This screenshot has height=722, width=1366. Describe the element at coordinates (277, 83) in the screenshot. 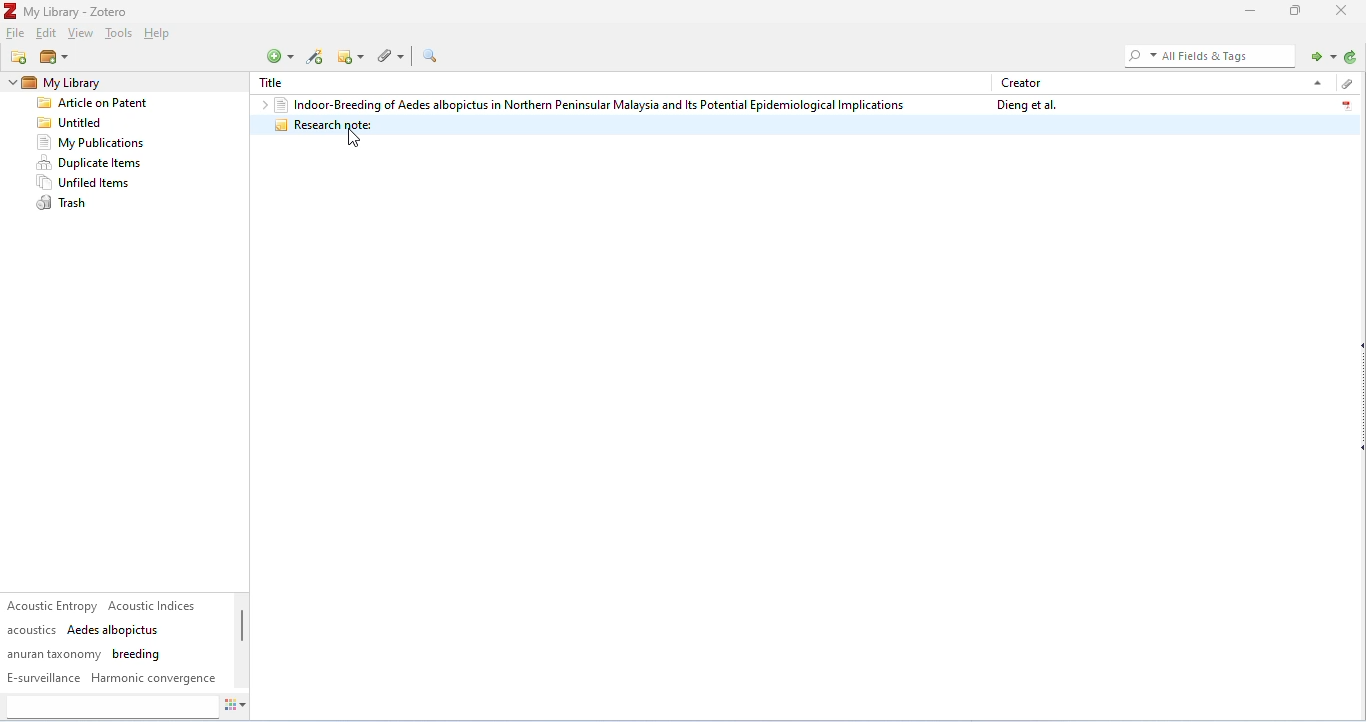

I see `title` at that location.